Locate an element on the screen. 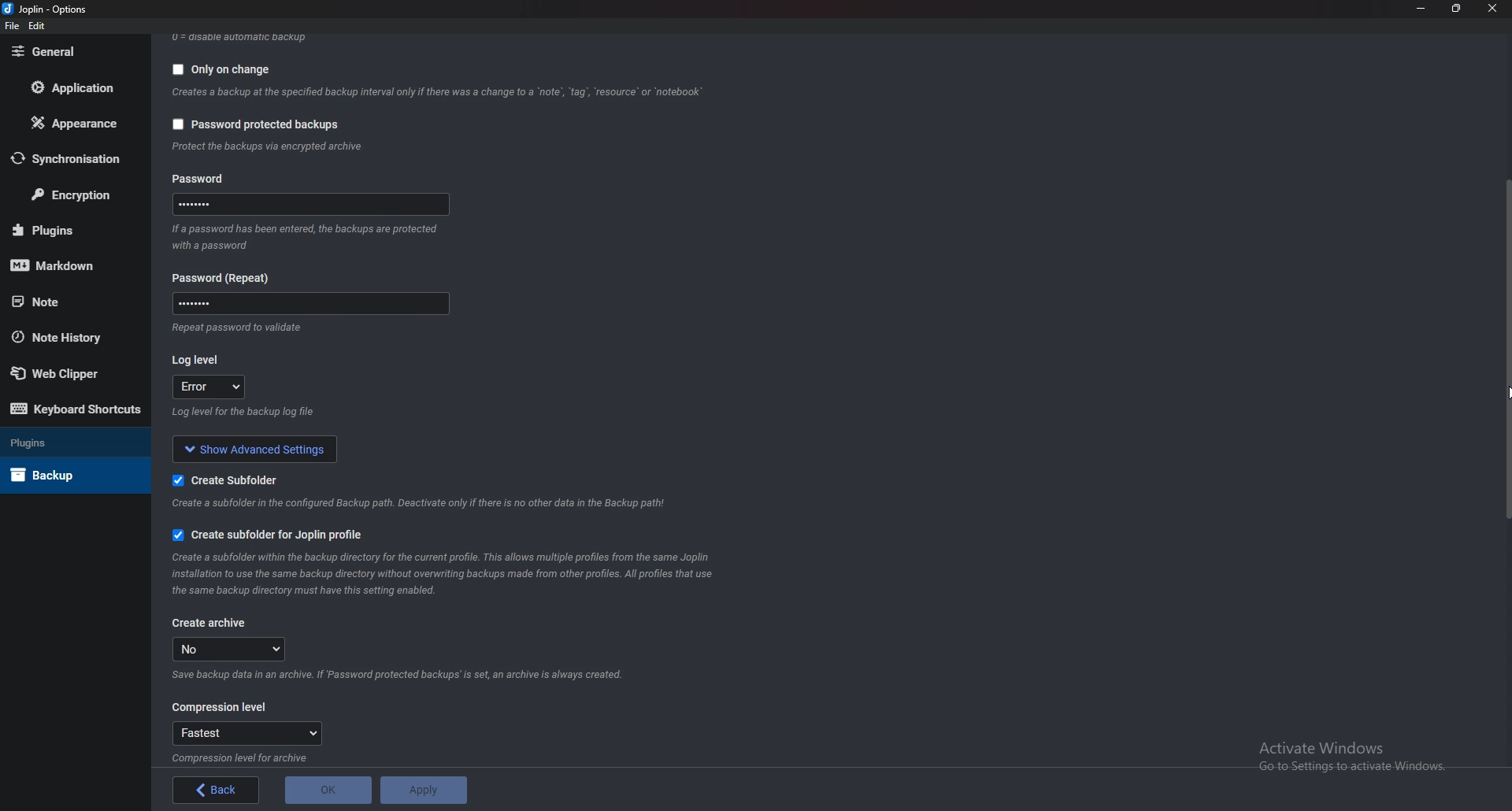 The height and width of the screenshot is (811, 1512). Info is located at coordinates (246, 757).